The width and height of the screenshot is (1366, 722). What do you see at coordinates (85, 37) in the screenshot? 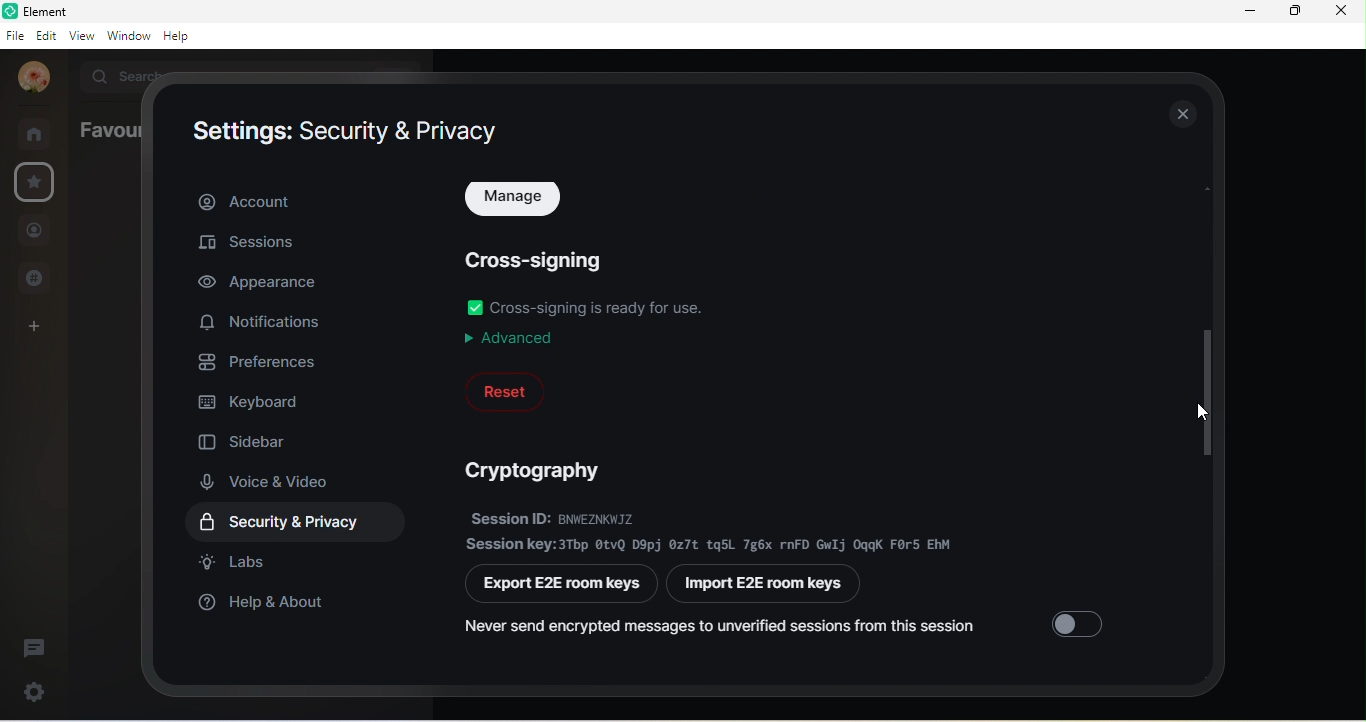
I see `view` at bounding box center [85, 37].